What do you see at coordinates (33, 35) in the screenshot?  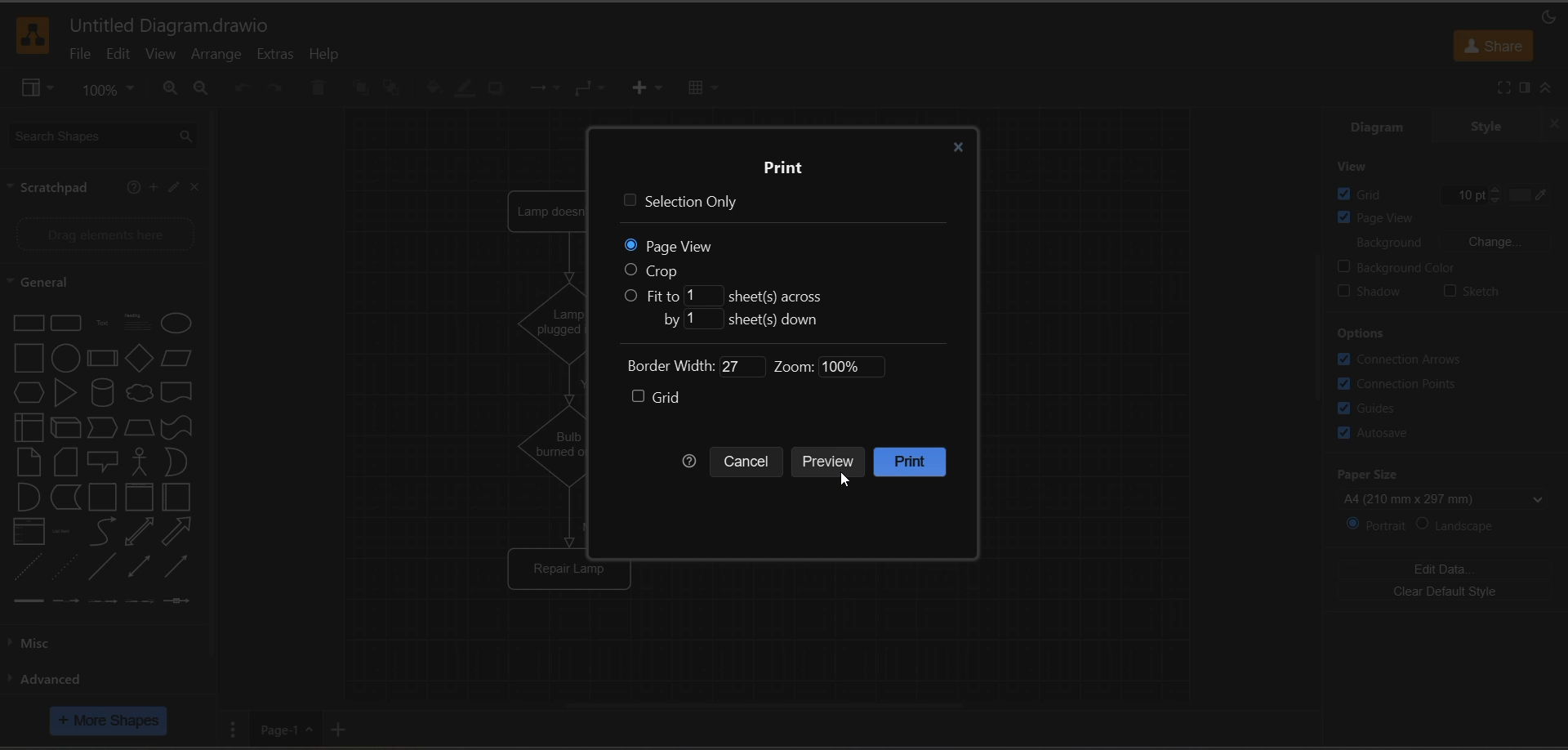 I see `app logo` at bounding box center [33, 35].